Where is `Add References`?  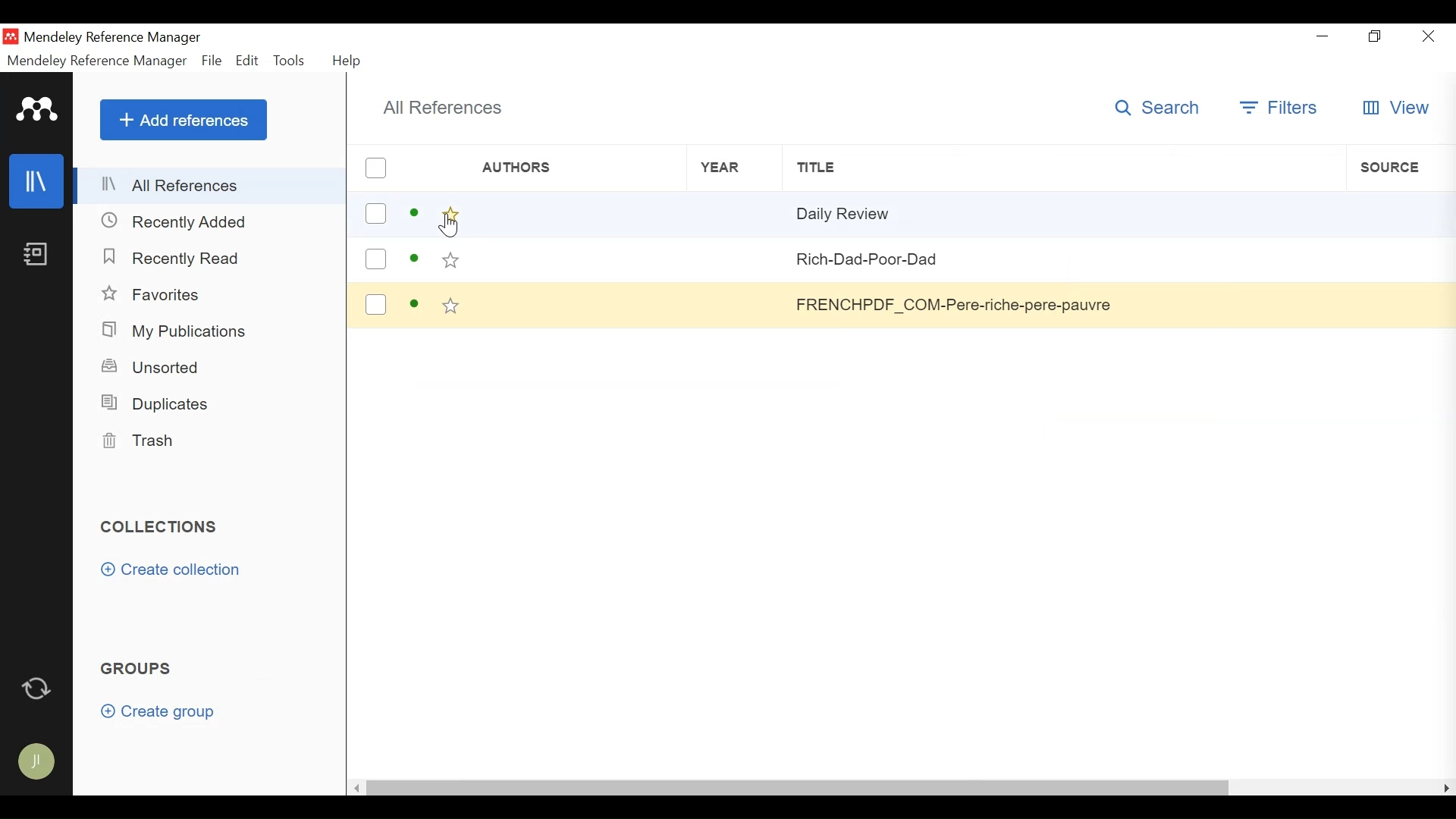
Add References is located at coordinates (184, 121).